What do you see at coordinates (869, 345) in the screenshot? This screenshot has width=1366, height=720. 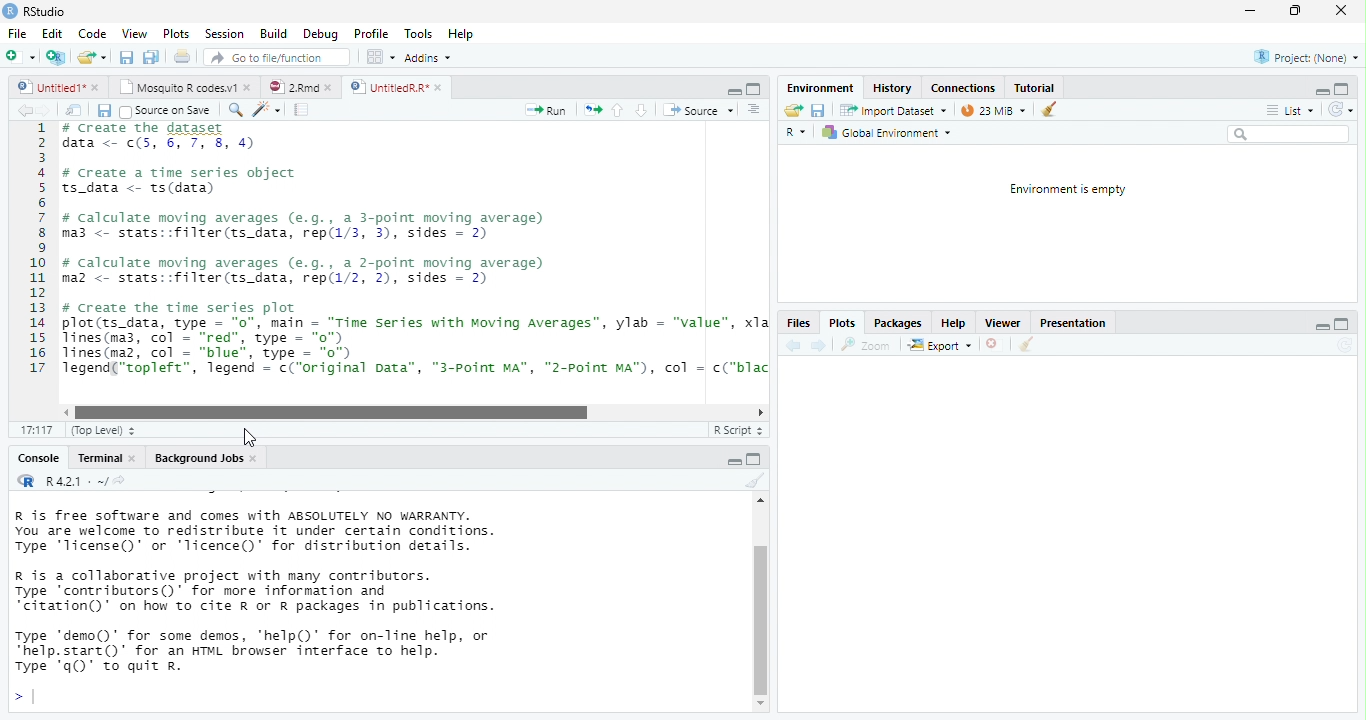 I see `zoom` at bounding box center [869, 345].